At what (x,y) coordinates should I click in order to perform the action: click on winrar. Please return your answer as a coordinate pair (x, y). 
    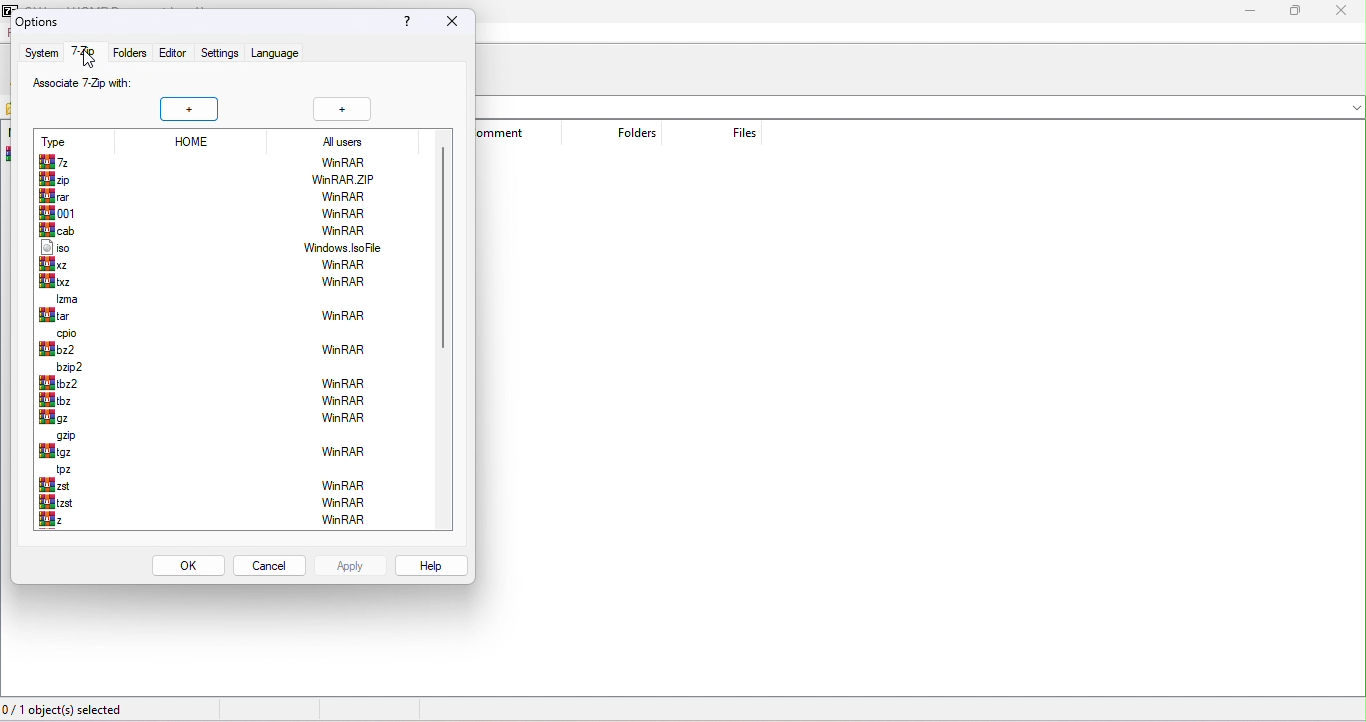
    Looking at the image, I should click on (351, 503).